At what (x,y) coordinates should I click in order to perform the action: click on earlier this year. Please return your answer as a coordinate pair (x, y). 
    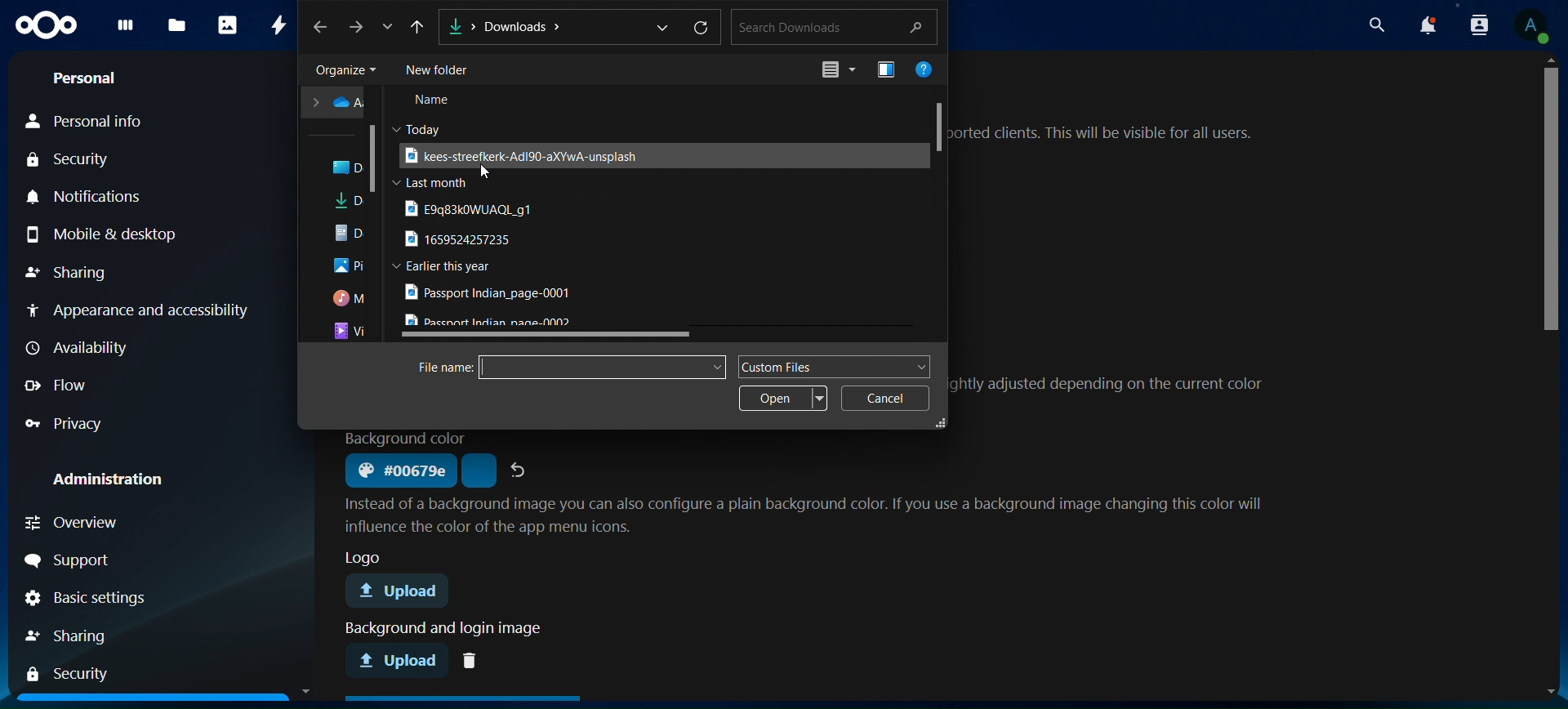
    Looking at the image, I should click on (449, 266).